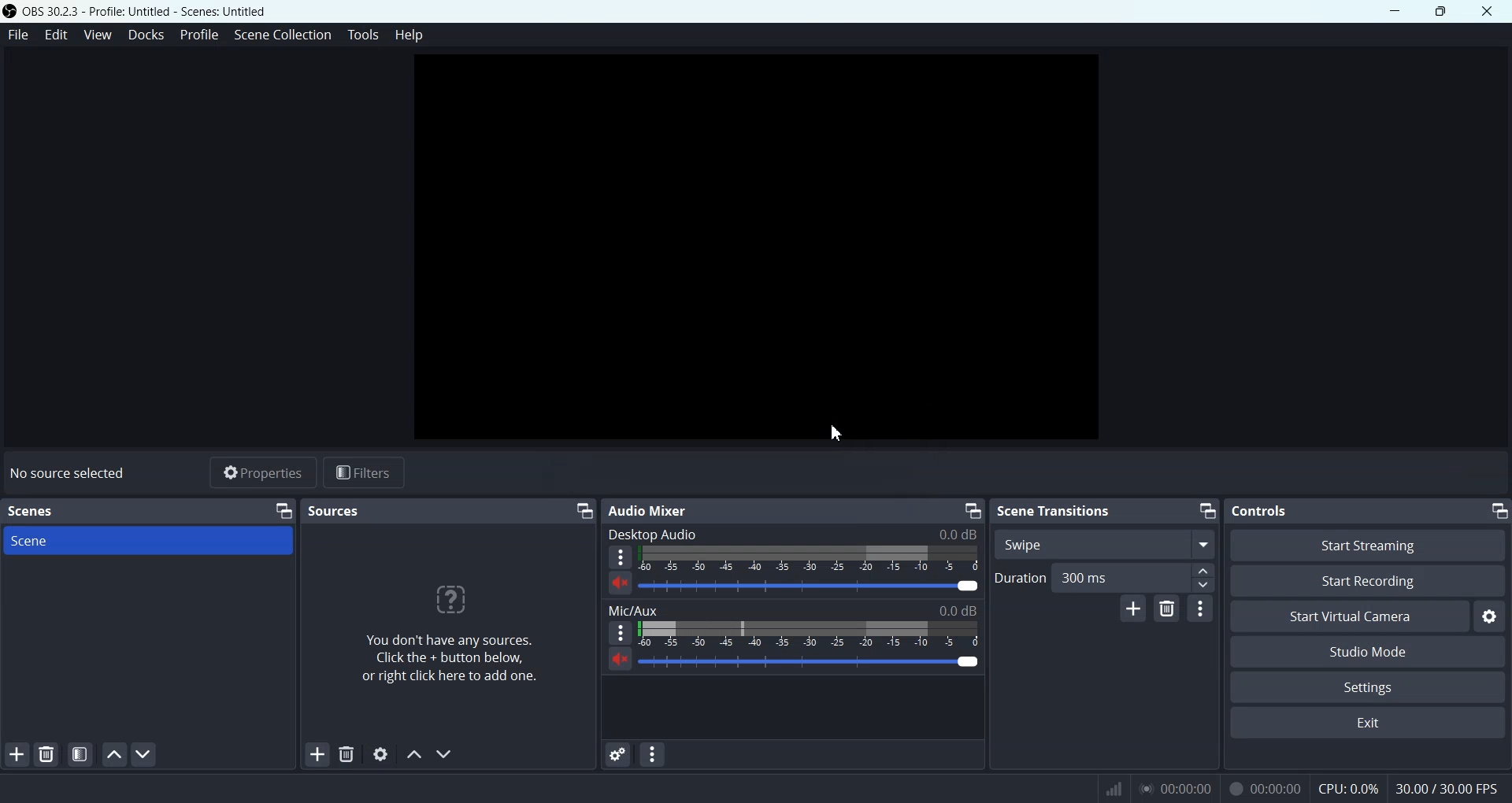  Describe the element at coordinates (843, 430) in the screenshot. I see `Cursor` at that location.